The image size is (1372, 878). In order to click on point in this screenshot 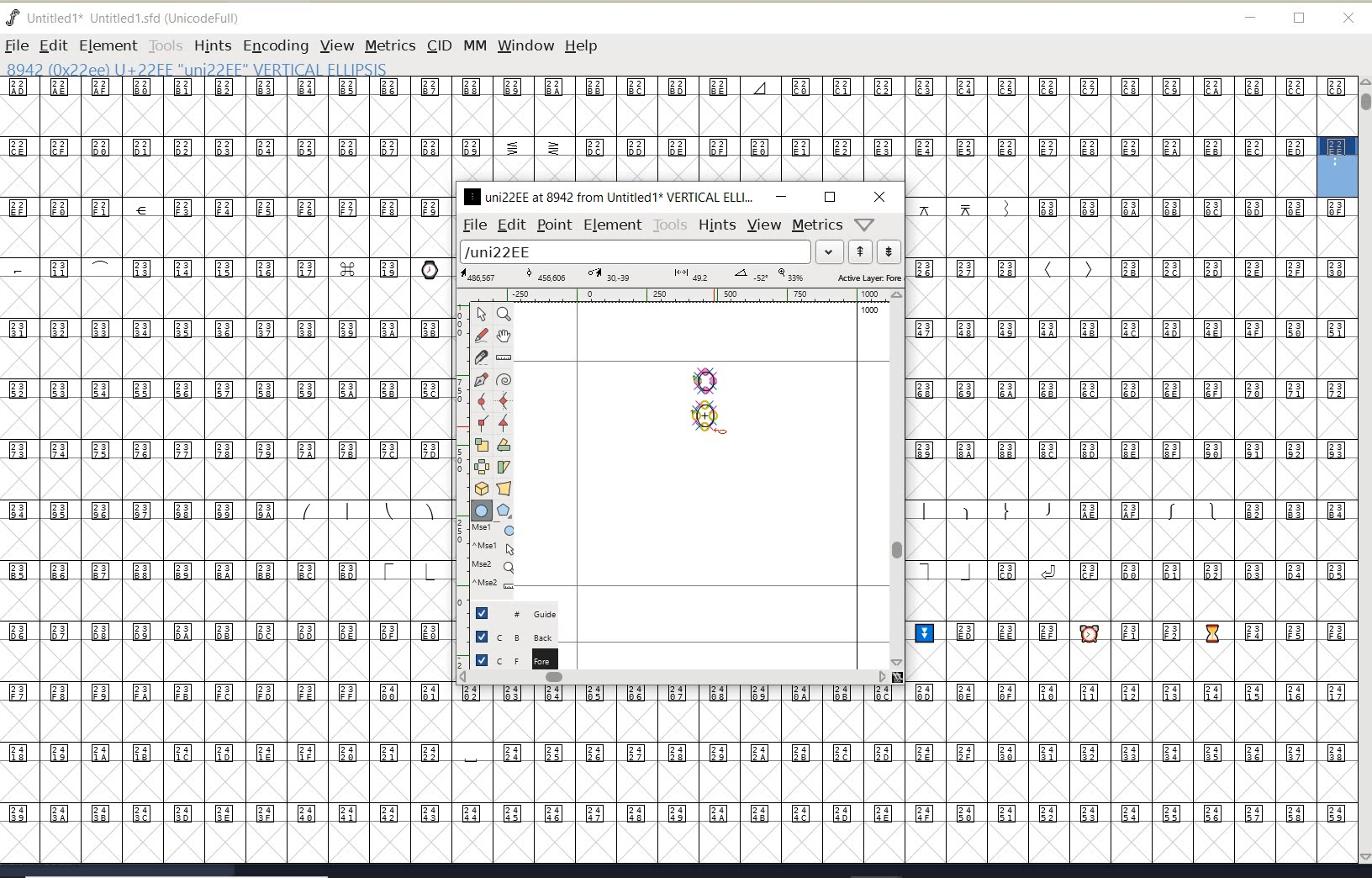, I will do `click(553, 225)`.